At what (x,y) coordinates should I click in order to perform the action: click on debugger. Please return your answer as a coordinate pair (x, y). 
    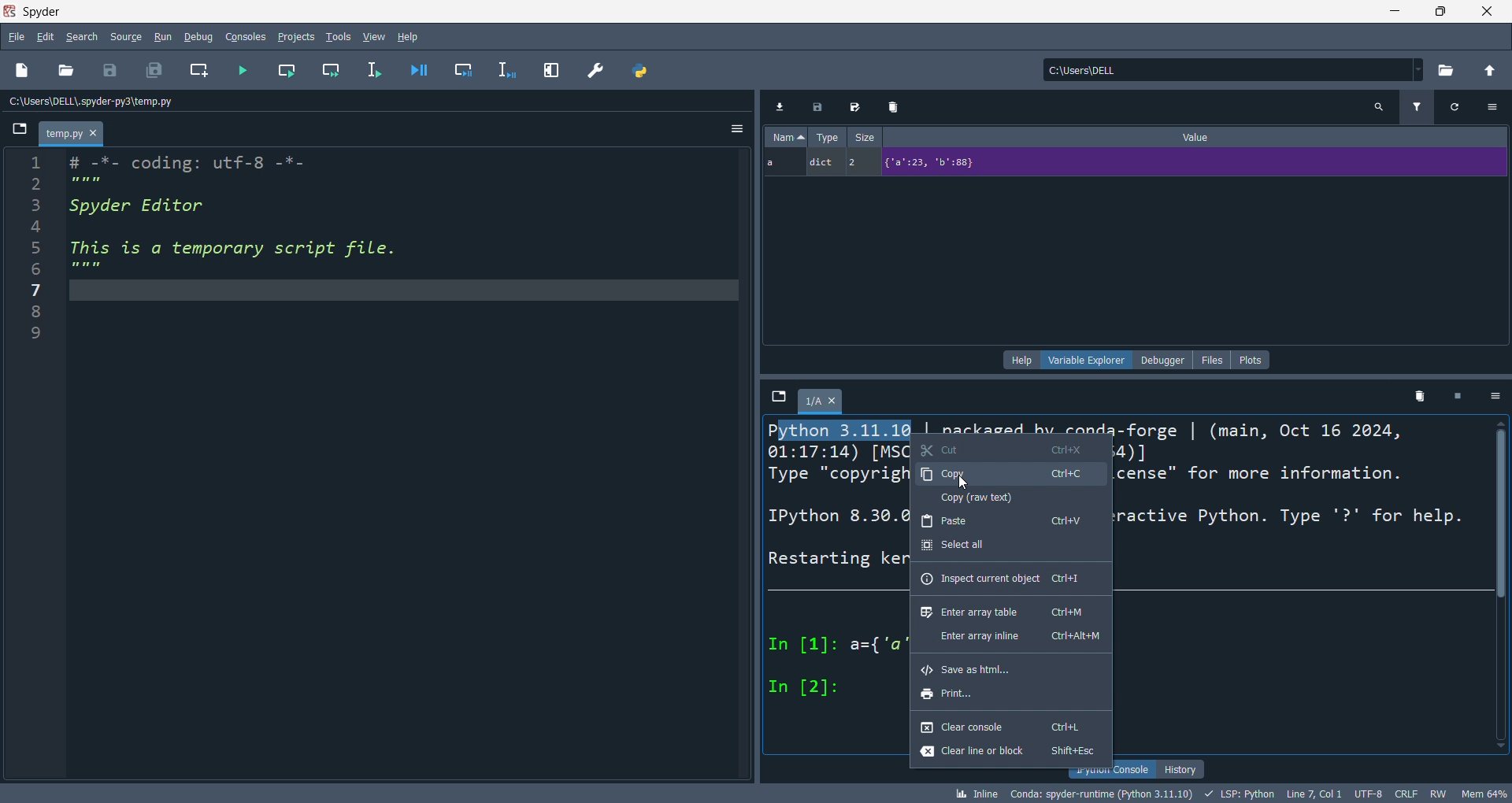
    Looking at the image, I should click on (1162, 360).